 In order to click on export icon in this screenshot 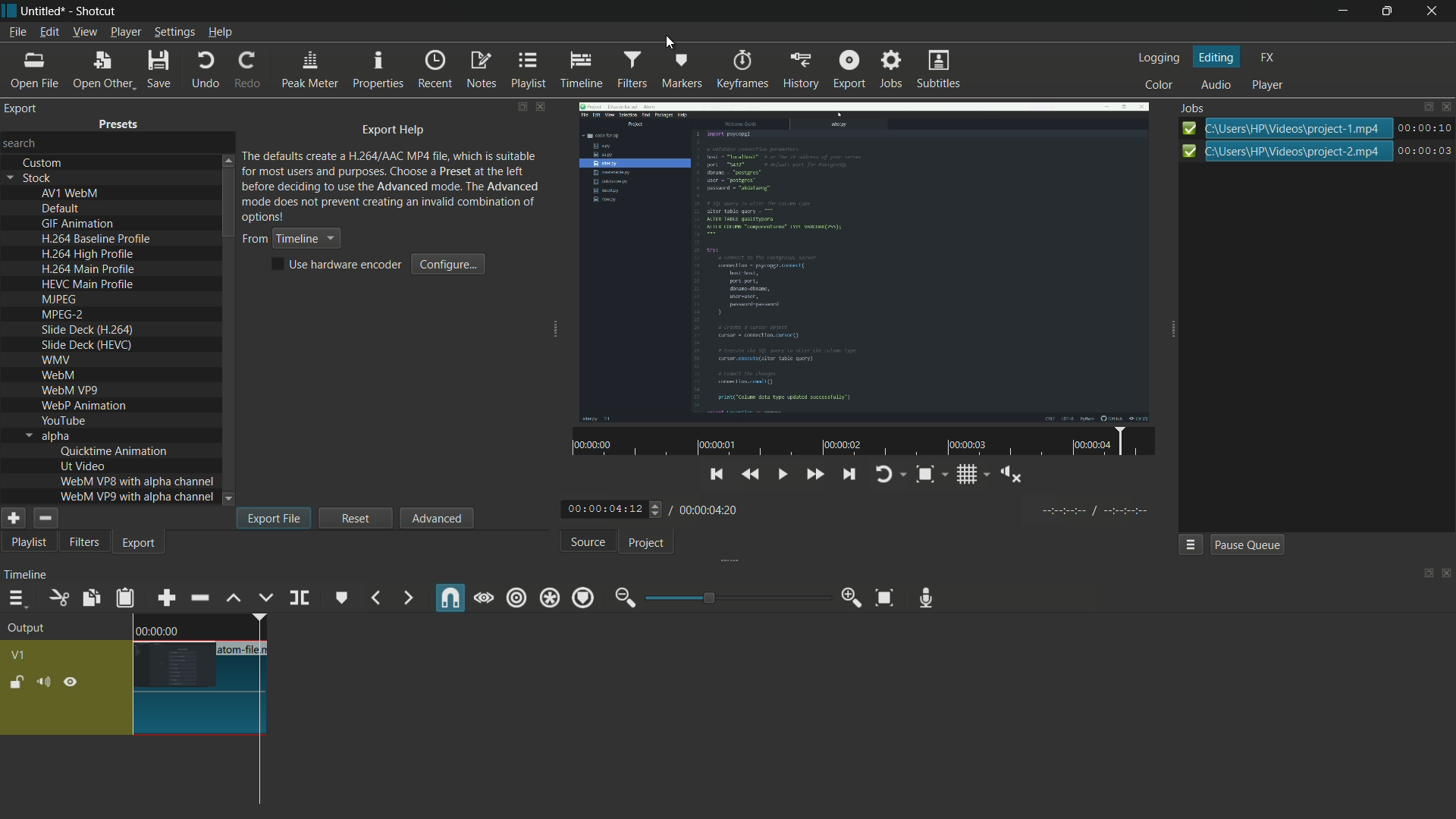, I will do `click(1188, 151)`.